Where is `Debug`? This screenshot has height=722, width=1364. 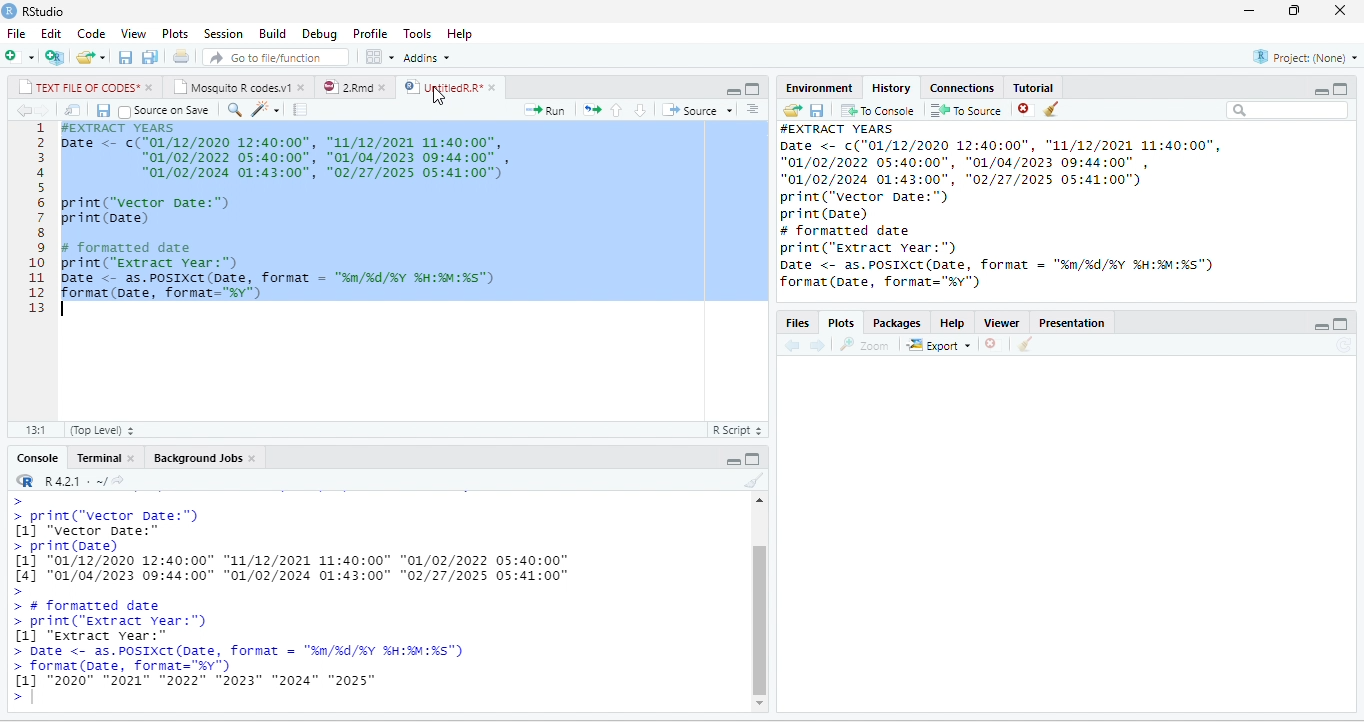
Debug is located at coordinates (321, 34).